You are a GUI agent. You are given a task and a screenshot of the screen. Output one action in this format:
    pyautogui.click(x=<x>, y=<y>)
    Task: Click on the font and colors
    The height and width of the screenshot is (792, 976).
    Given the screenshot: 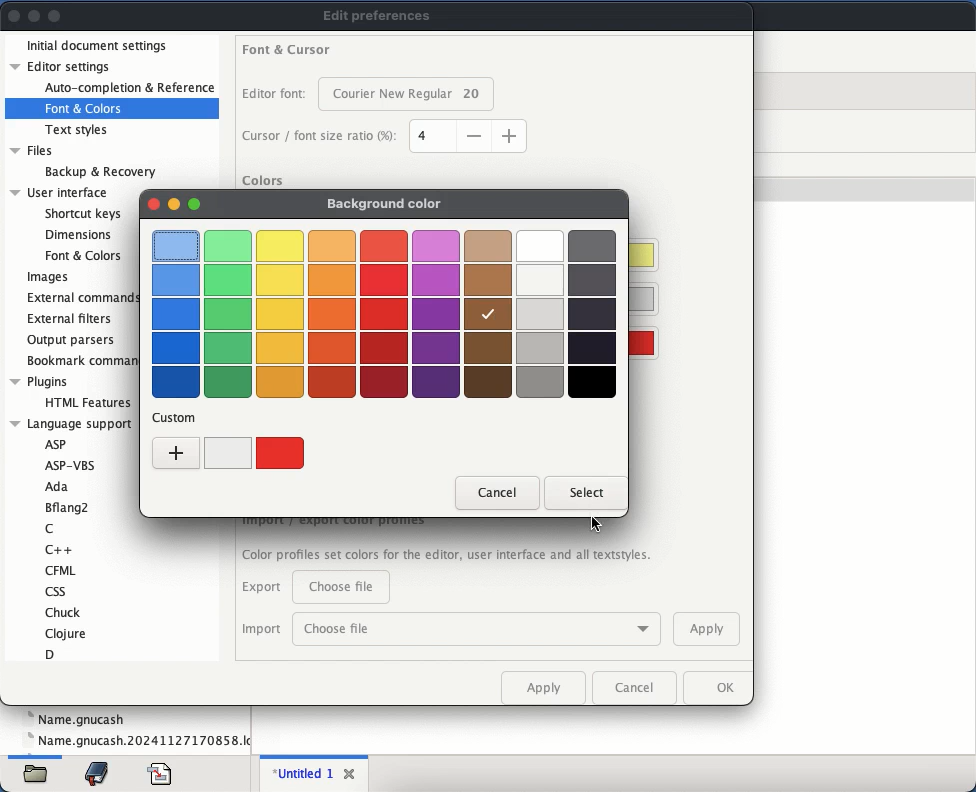 What is the action you would take?
    pyautogui.click(x=85, y=110)
    